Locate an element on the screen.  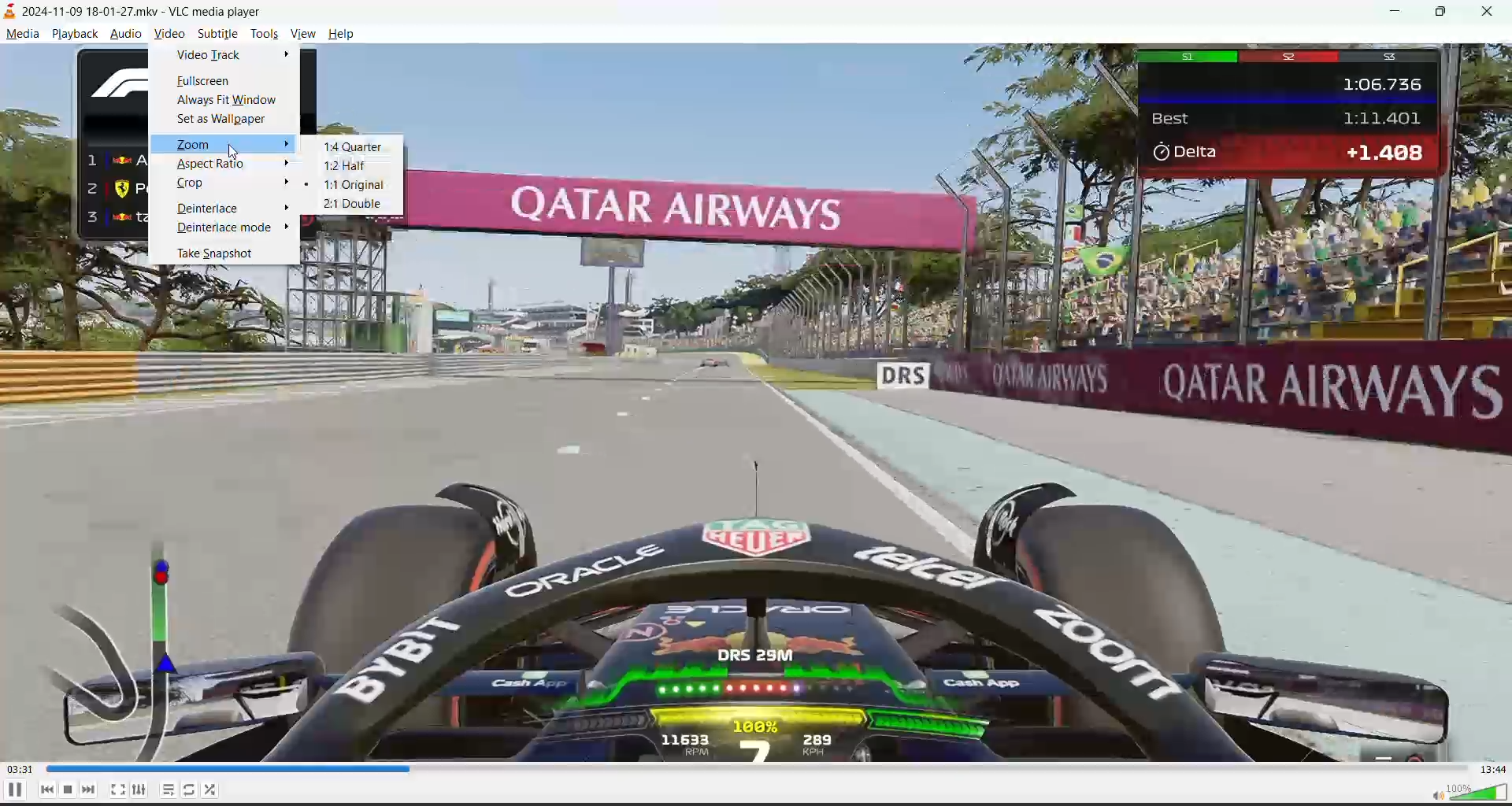
previous is located at coordinates (43, 790).